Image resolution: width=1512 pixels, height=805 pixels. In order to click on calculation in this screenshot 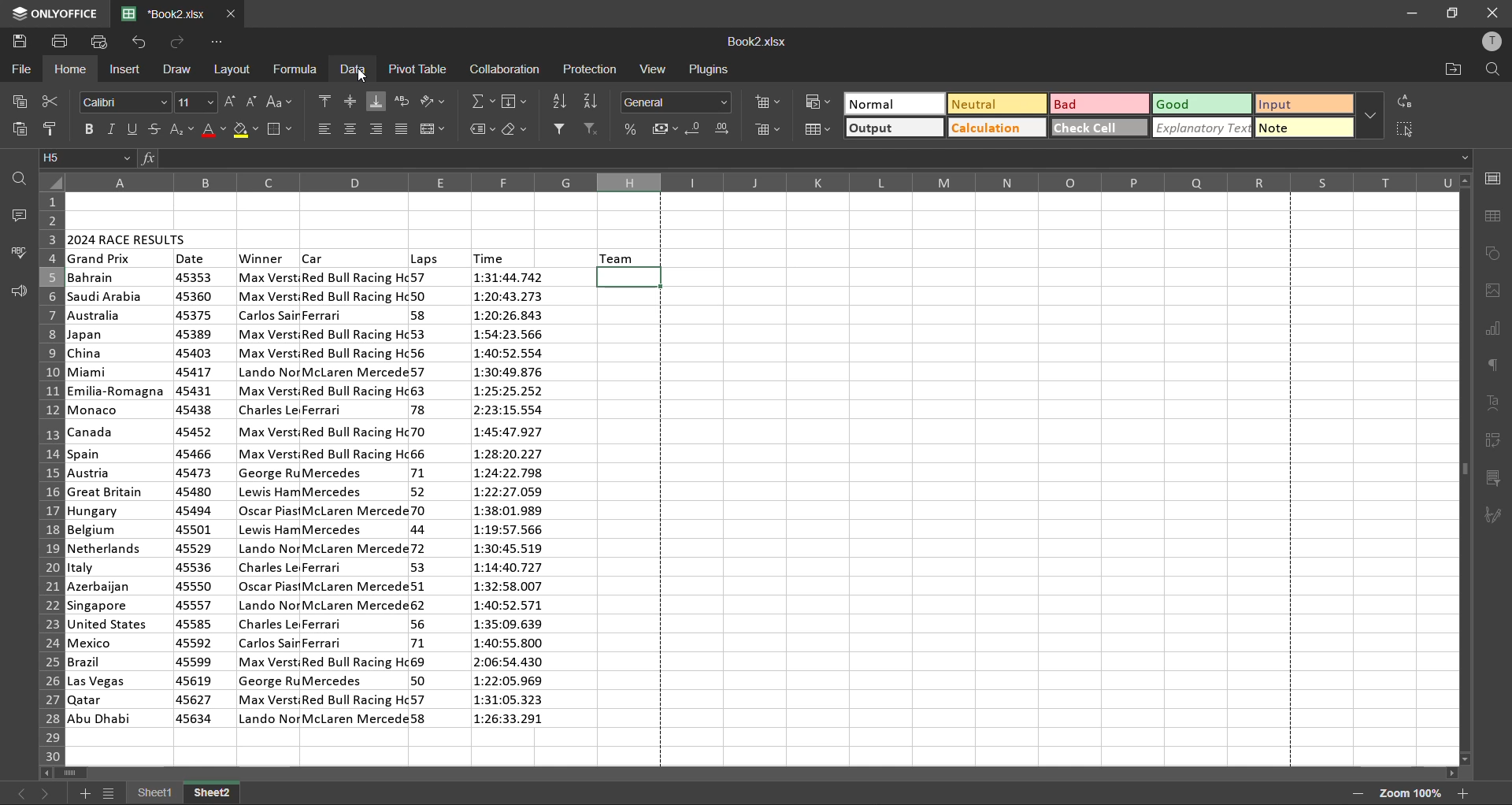, I will do `click(995, 127)`.